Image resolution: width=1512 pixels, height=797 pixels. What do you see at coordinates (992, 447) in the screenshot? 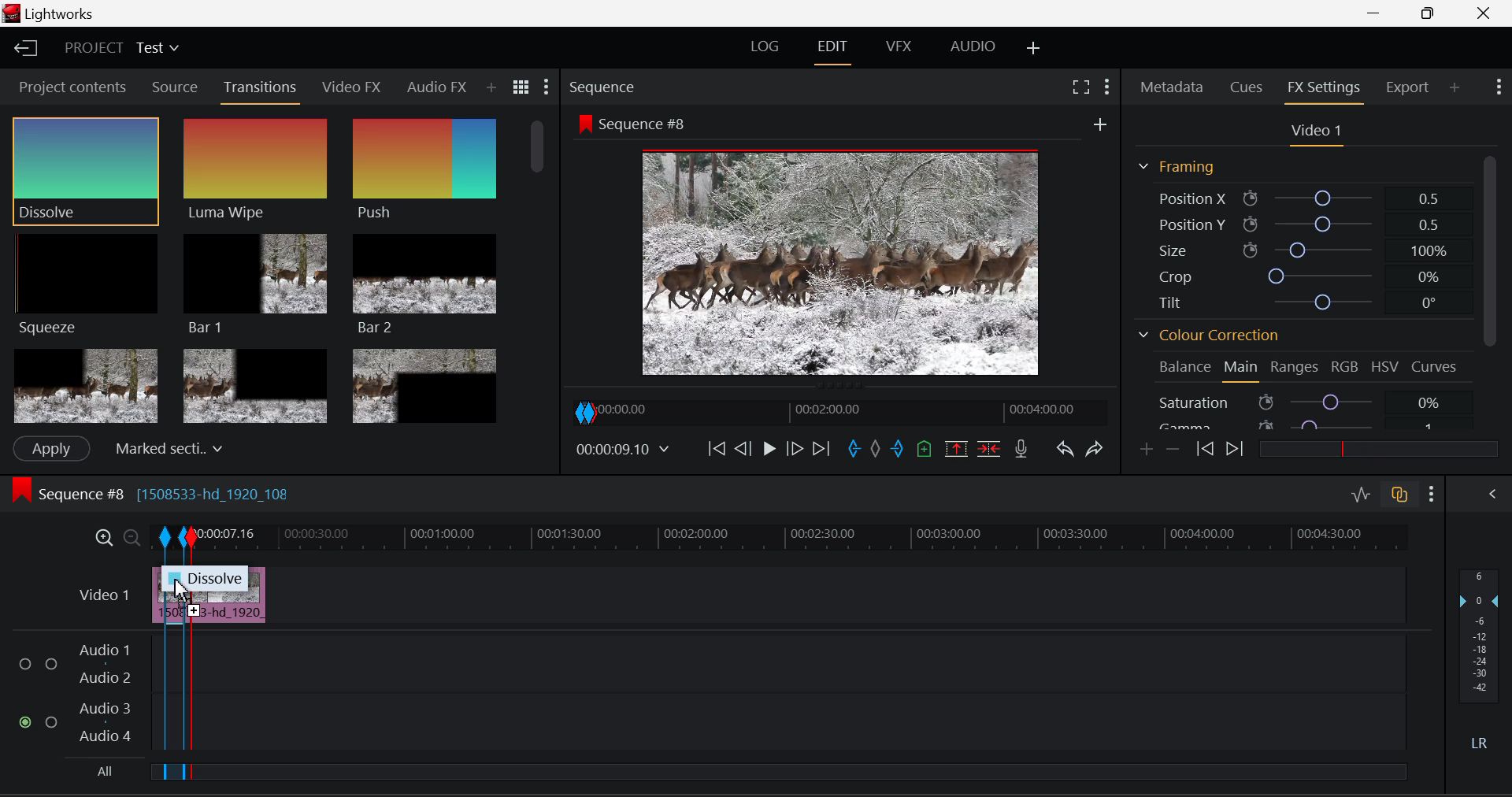
I see `Delete/Cut` at bounding box center [992, 447].